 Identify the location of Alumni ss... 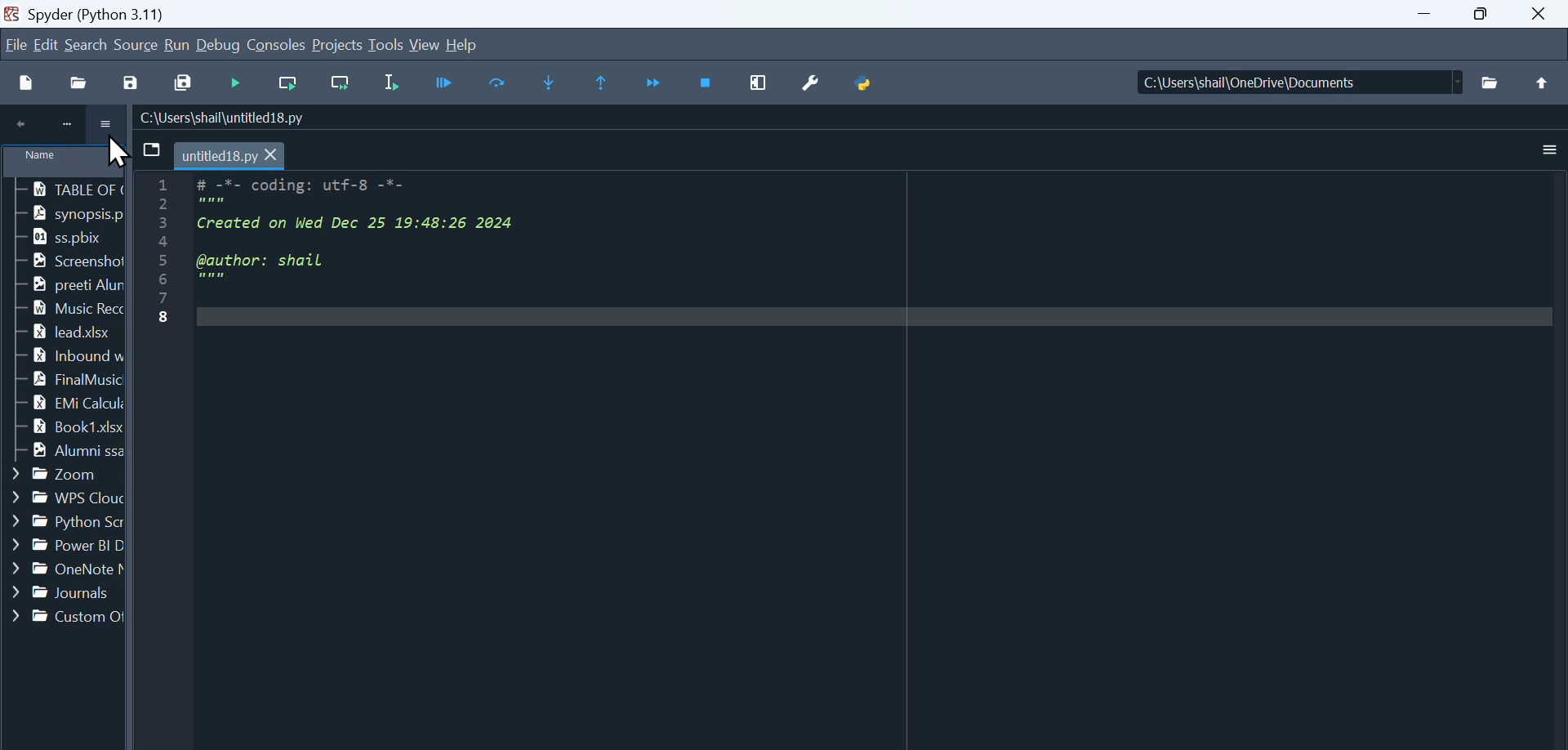
(62, 453).